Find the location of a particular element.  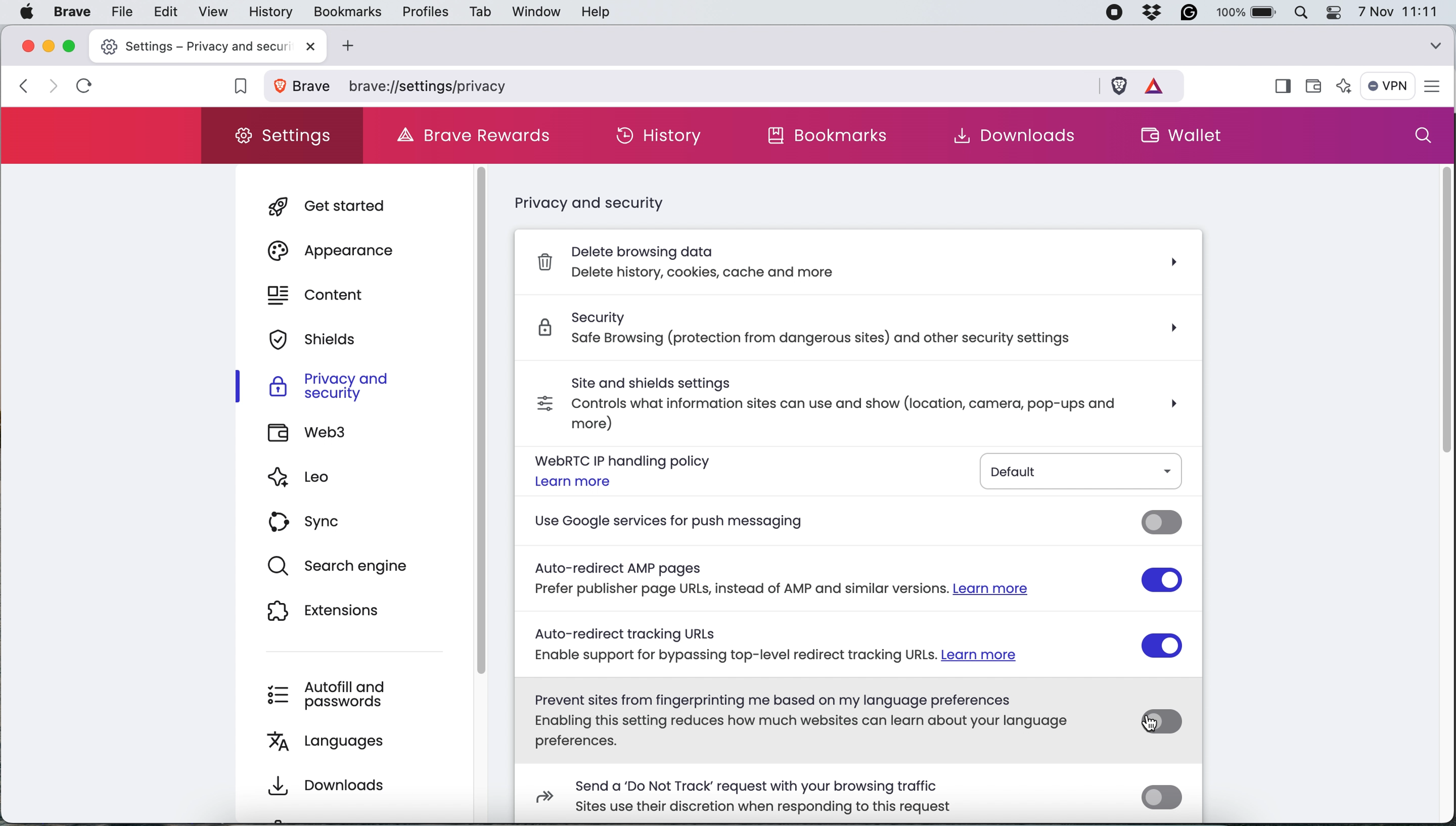

leo ai is located at coordinates (1345, 88).